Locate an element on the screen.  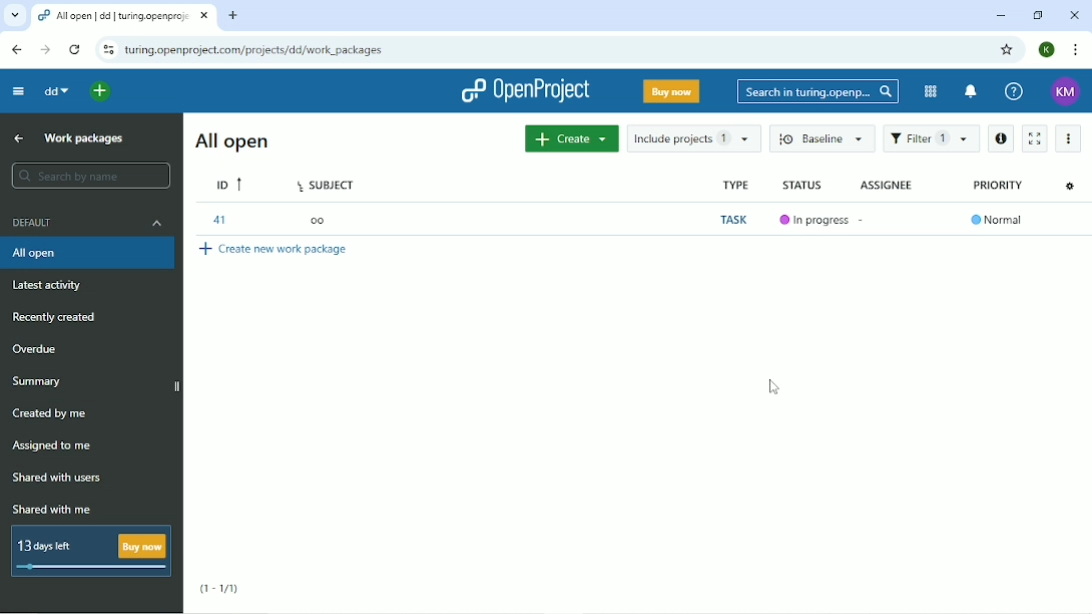
Subject is located at coordinates (326, 184).